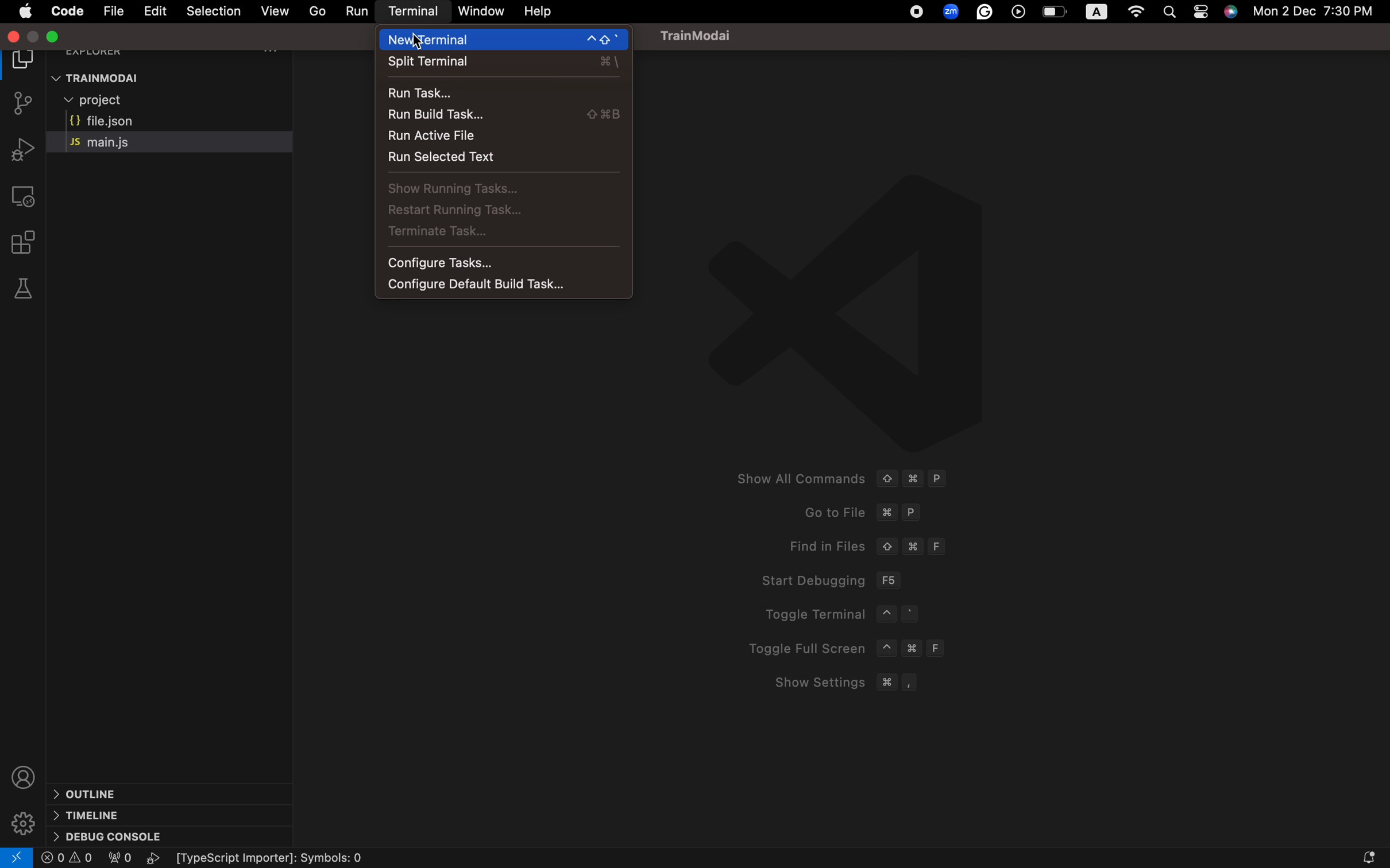  Describe the element at coordinates (34, 37) in the screenshot. I see `maximize` at that location.